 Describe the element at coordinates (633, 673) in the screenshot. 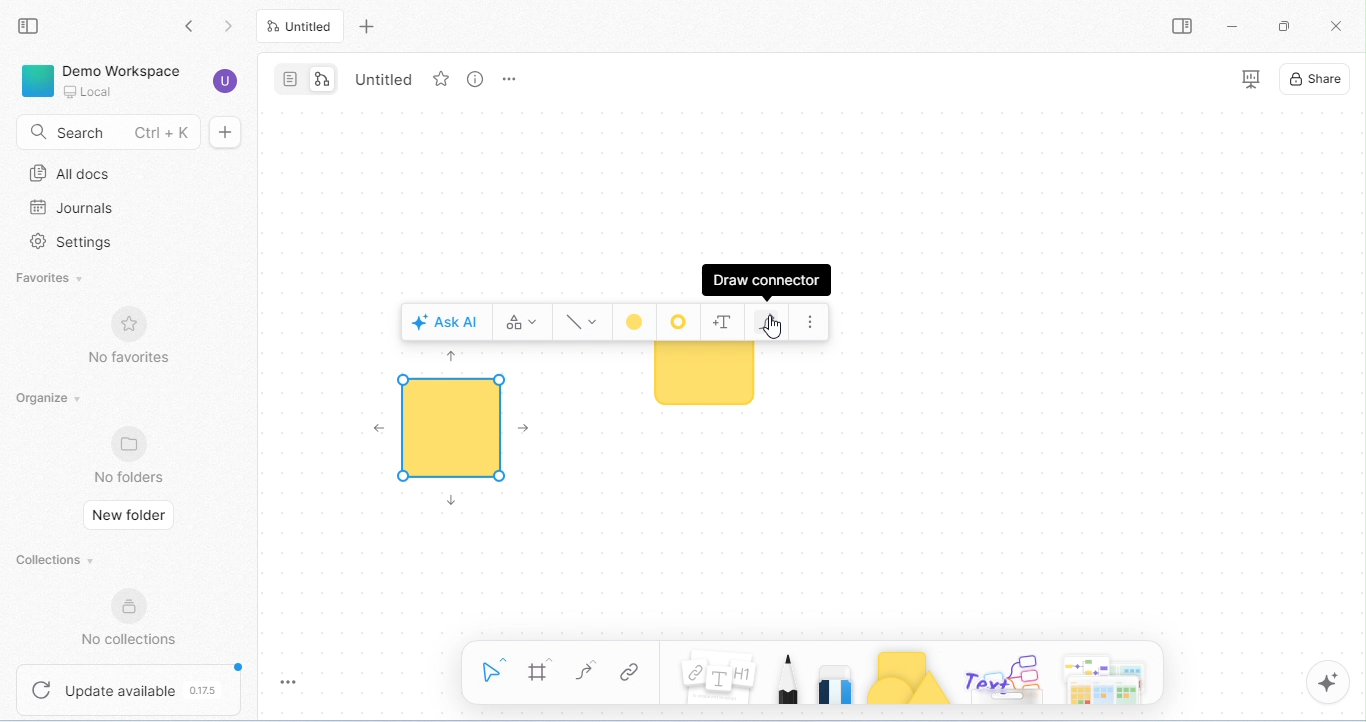

I see `link` at that location.